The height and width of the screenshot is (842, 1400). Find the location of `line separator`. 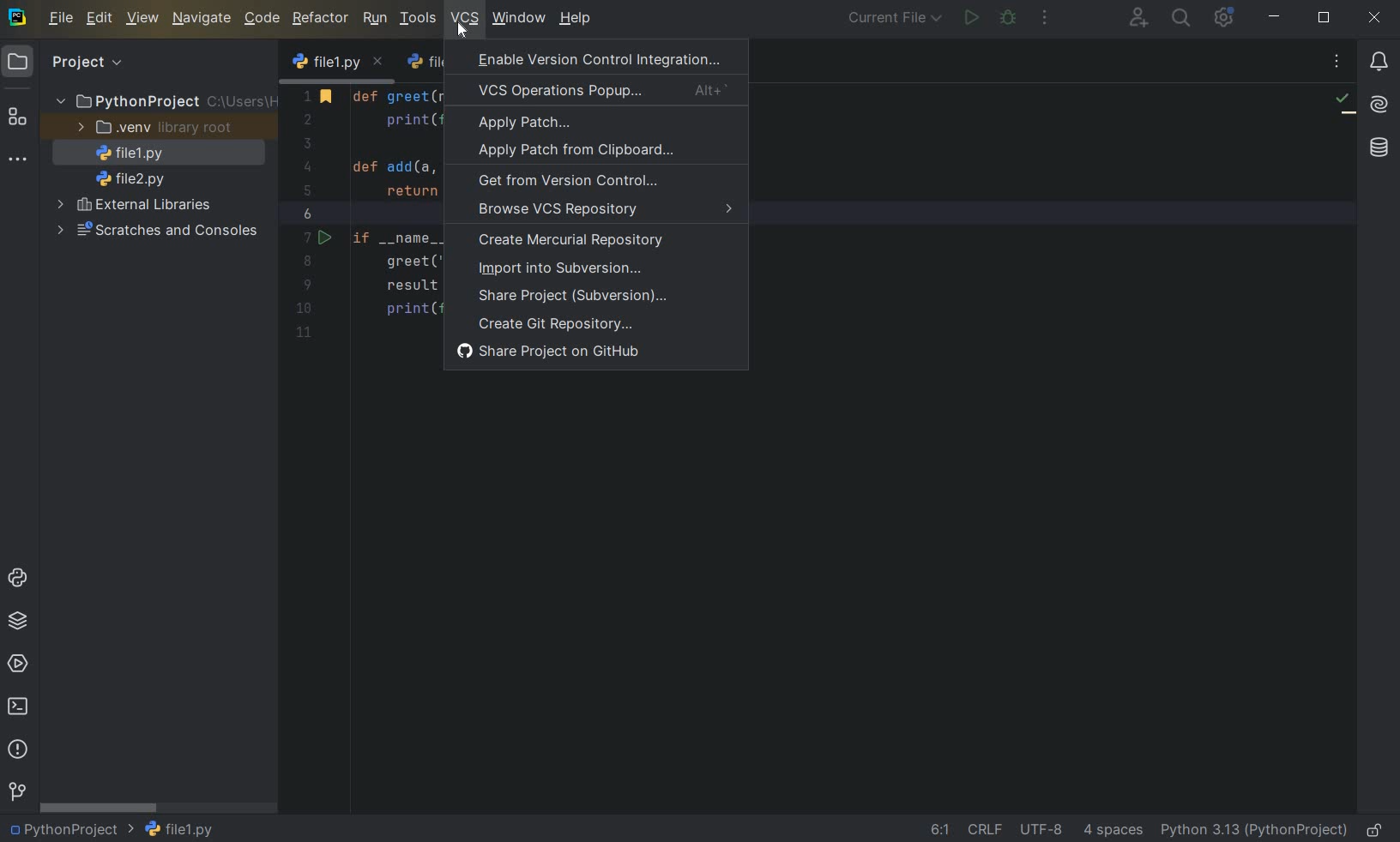

line separator is located at coordinates (986, 827).